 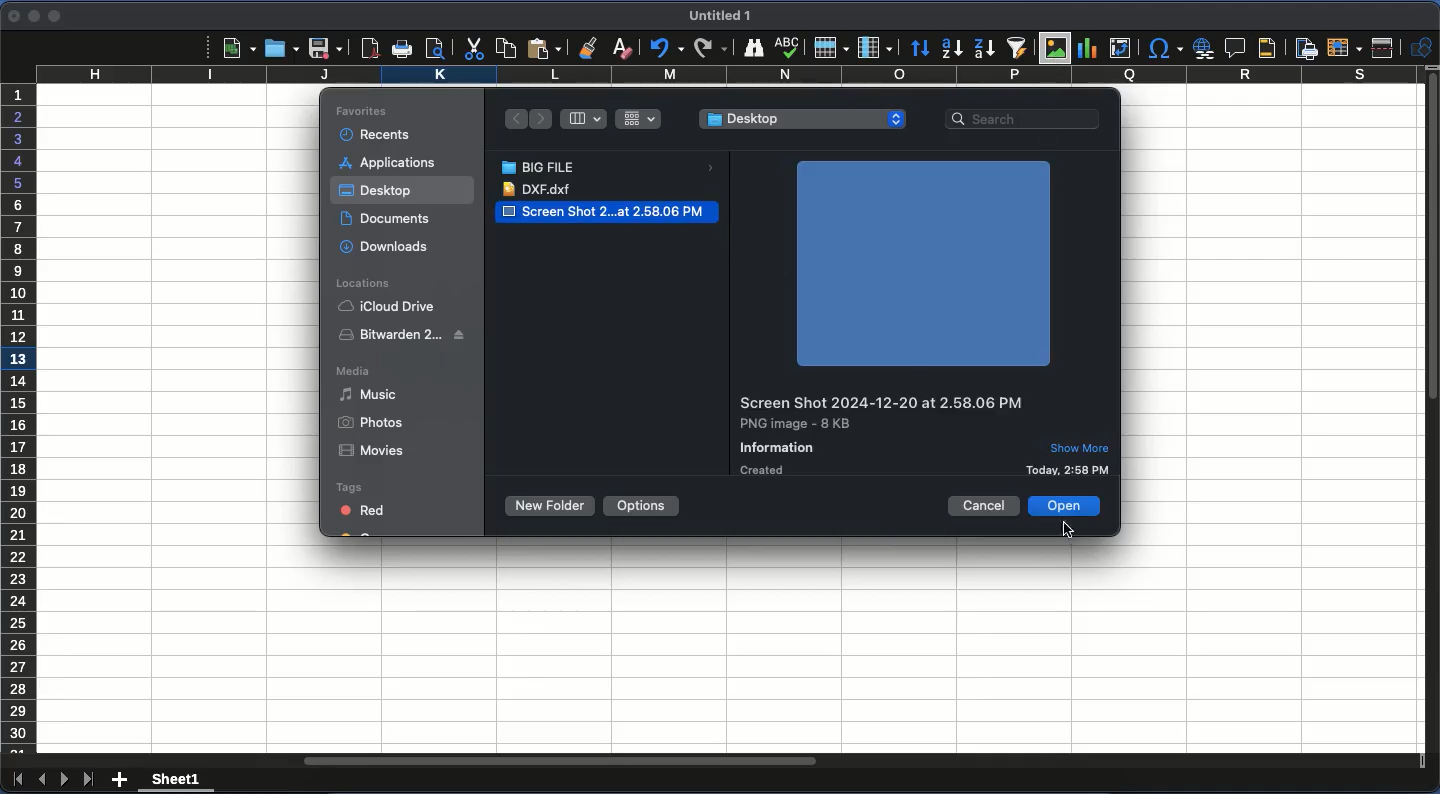 I want to click on biwarden, so click(x=407, y=335).